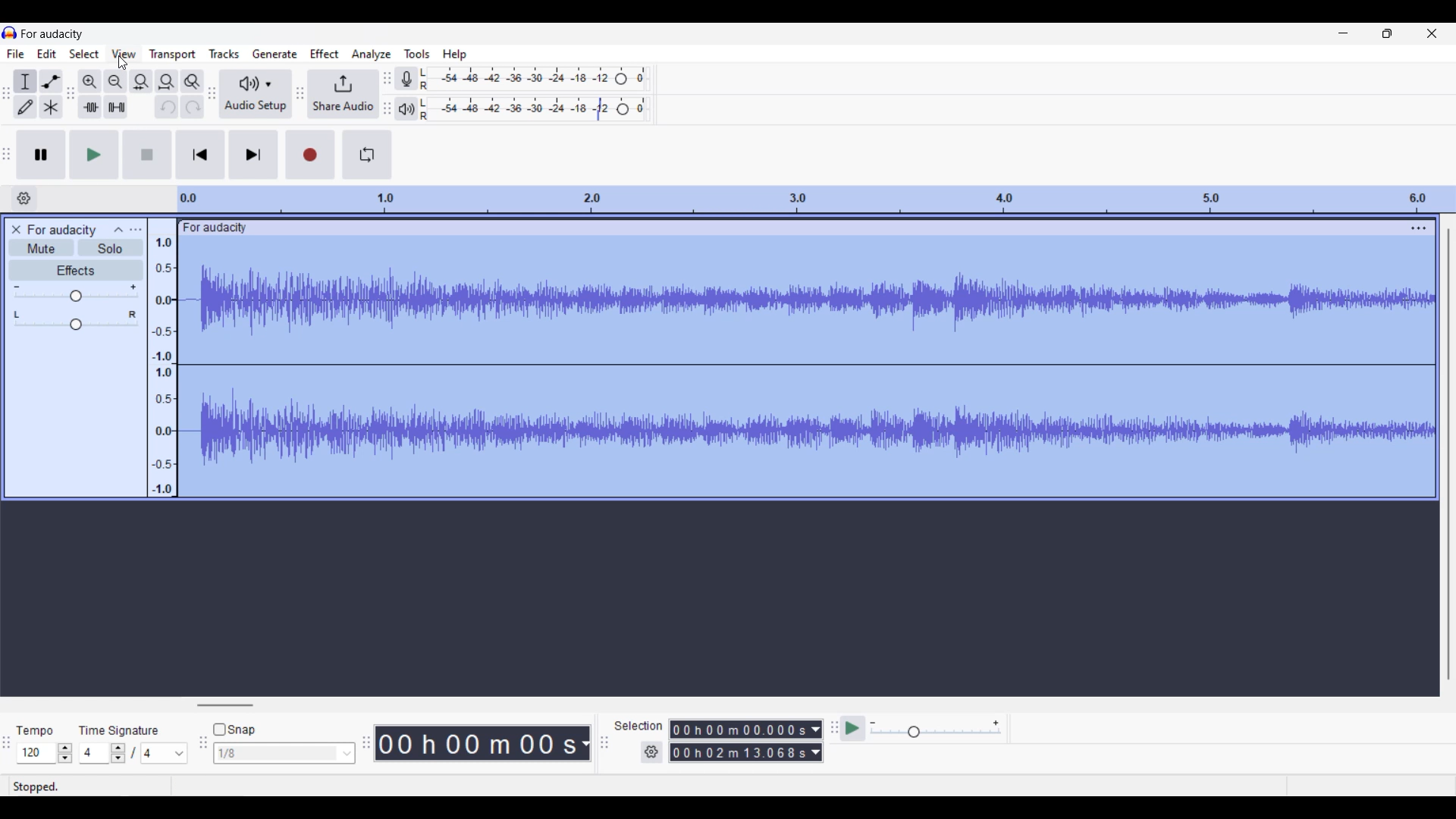 The width and height of the screenshot is (1456, 819). I want to click on Tools menu, so click(417, 54).